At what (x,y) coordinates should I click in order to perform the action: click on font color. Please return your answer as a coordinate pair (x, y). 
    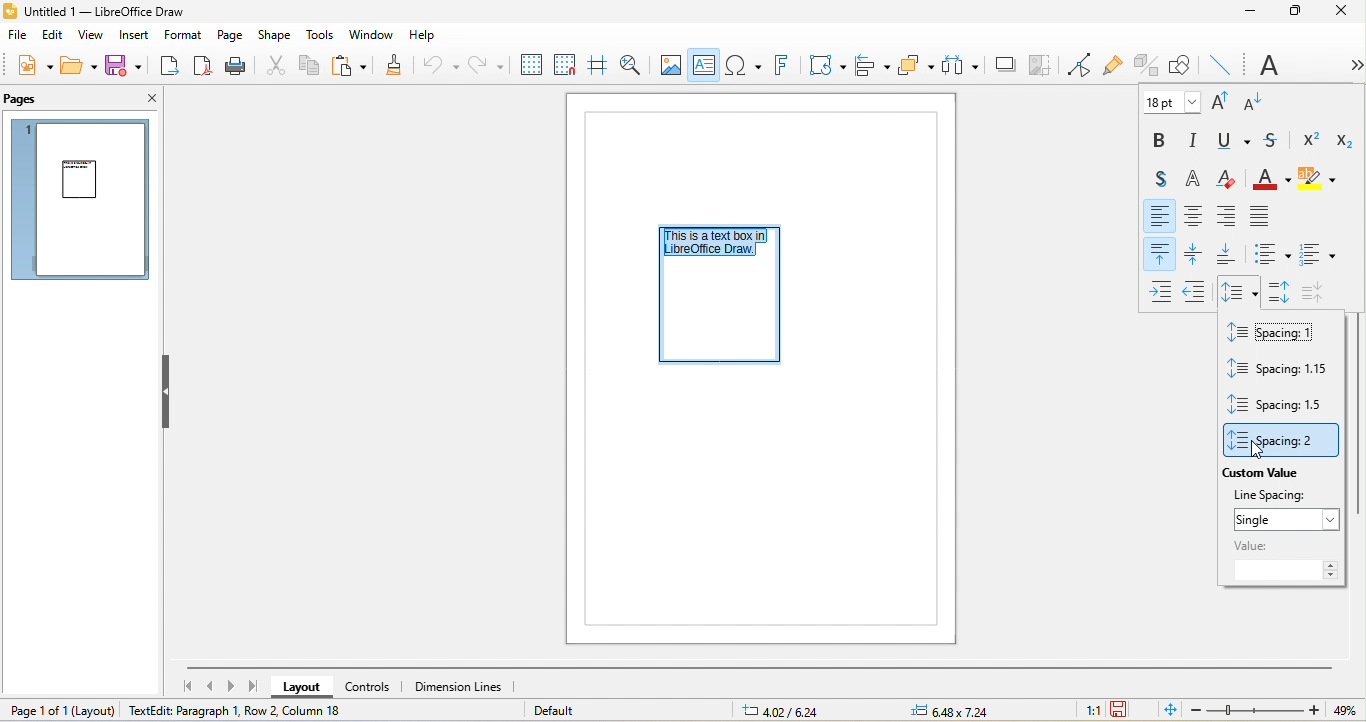
    Looking at the image, I should click on (1273, 179).